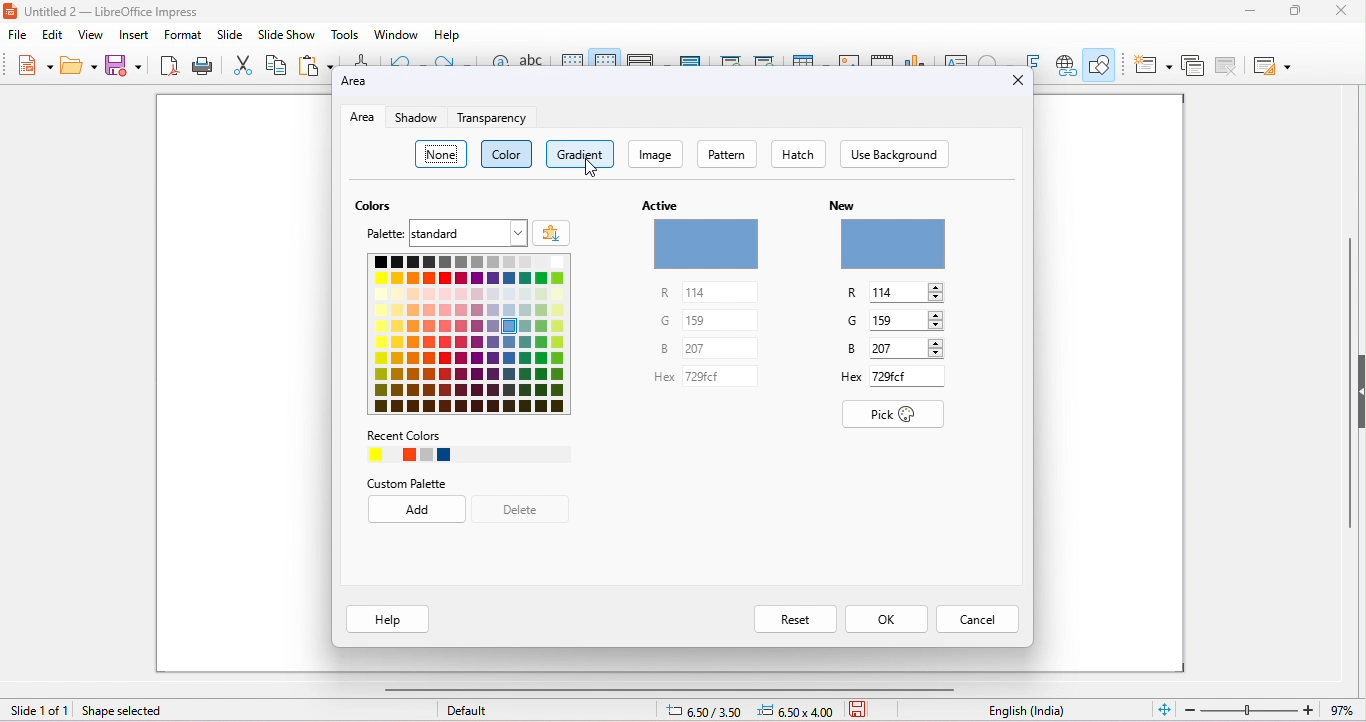 This screenshot has height=722, width=1366. I want to click on display views, so click(644, 59).